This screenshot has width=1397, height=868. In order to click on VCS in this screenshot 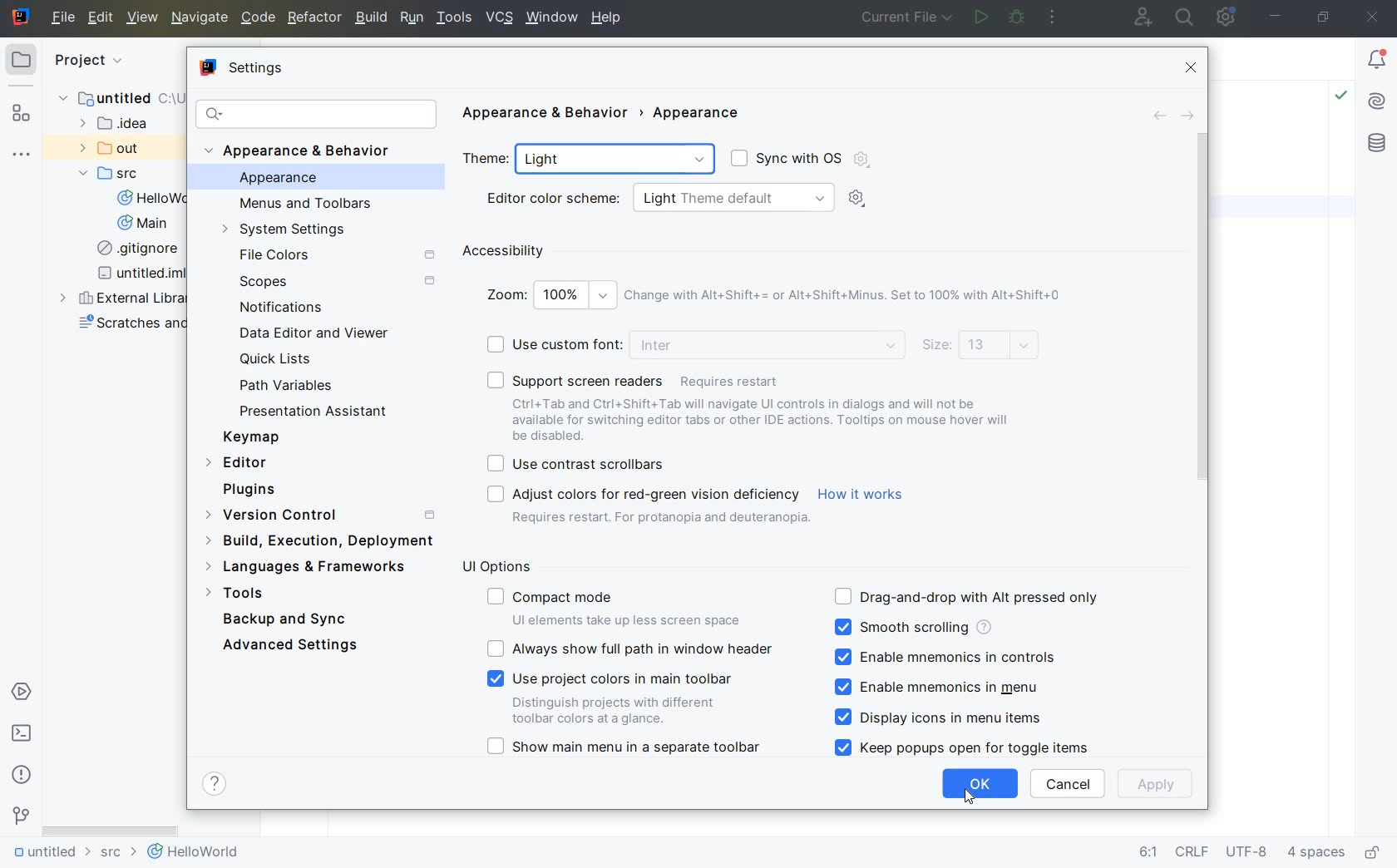, I will do `click(499, 18)`.